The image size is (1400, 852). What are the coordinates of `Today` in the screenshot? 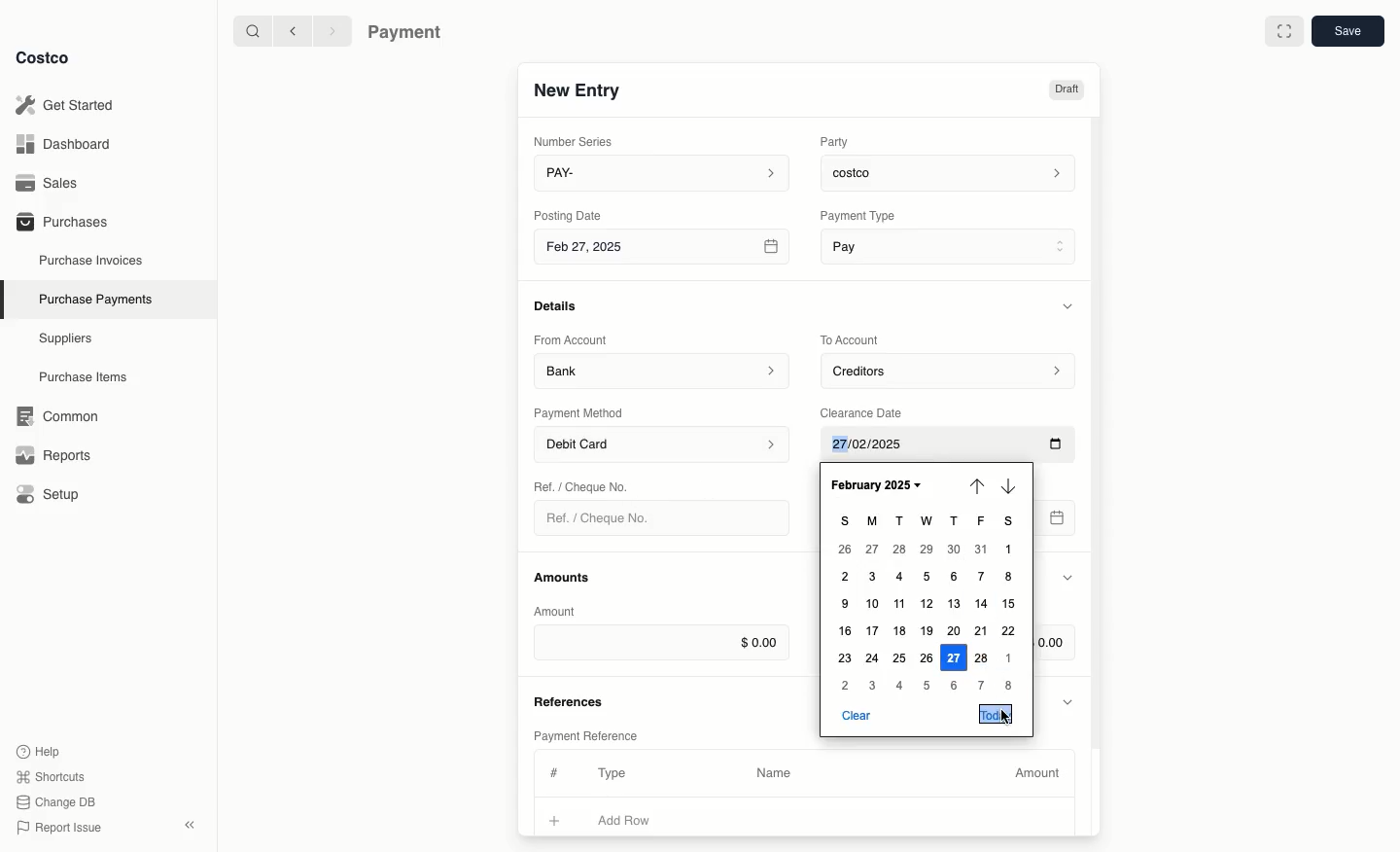 It's located at (997, 714).